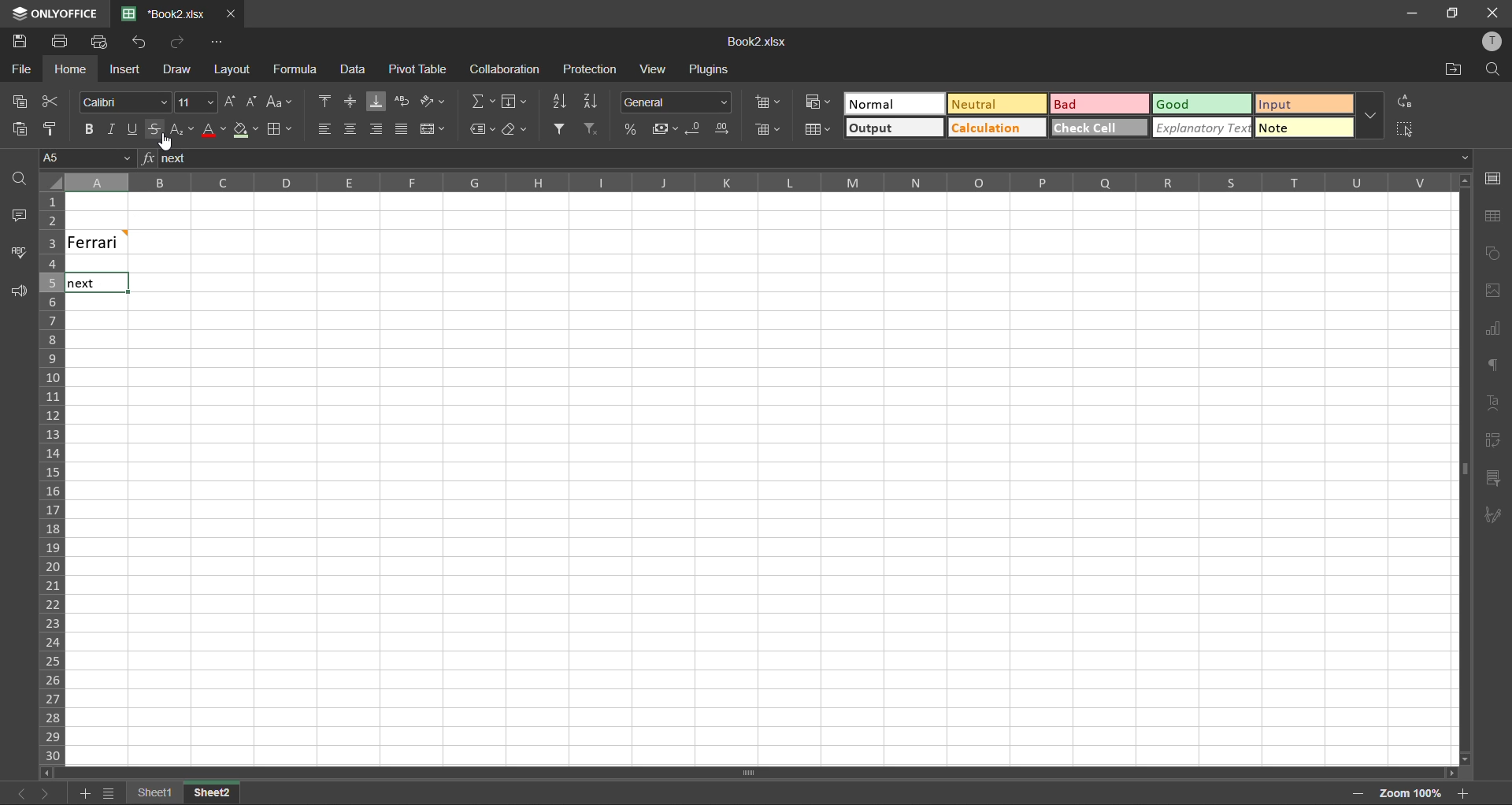  What do you see at coordinates (402, 129) in the screenshot?
I see `justified` at bounding box center [402, 129].